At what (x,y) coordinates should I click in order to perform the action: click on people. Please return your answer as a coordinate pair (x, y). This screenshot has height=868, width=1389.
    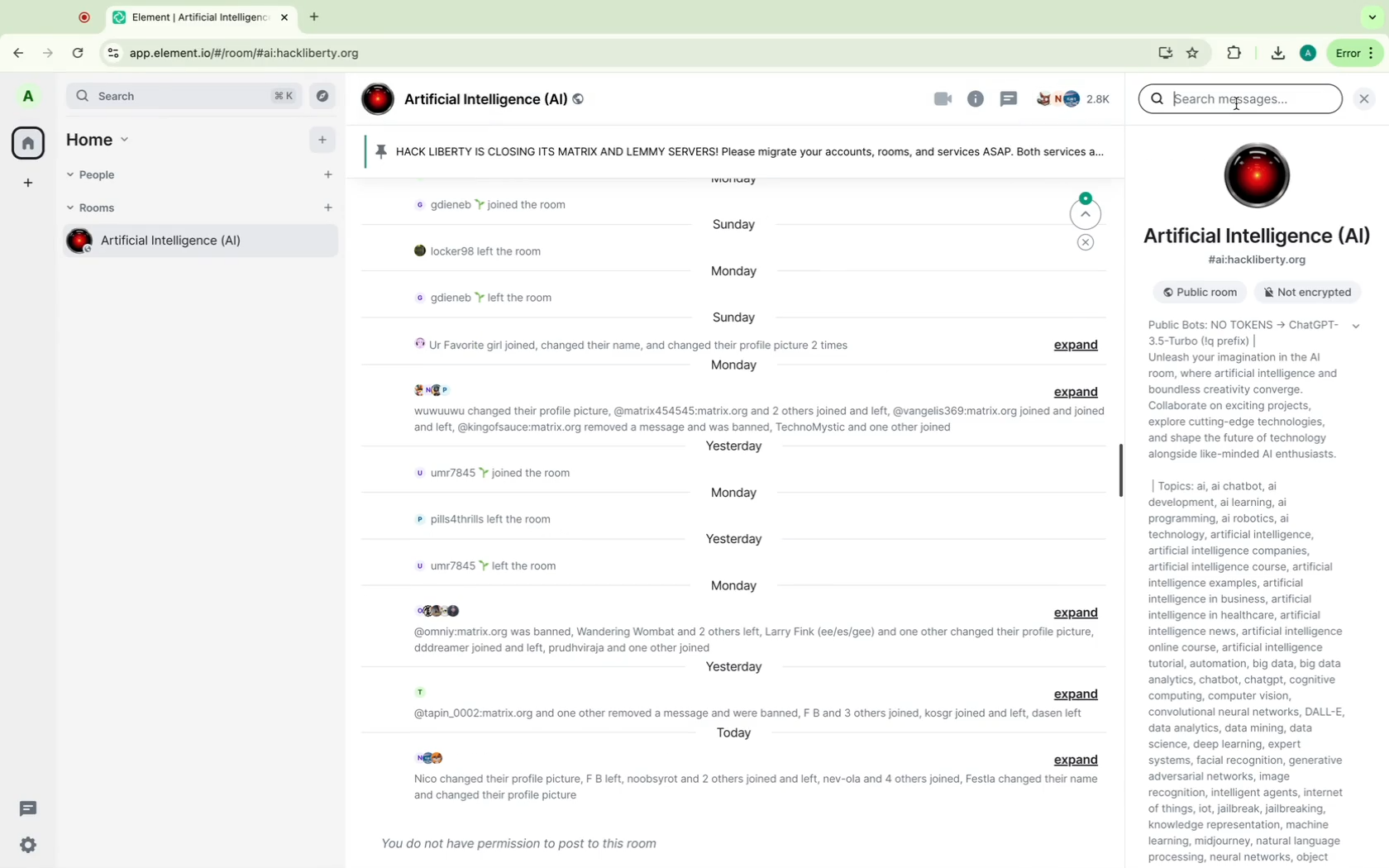
    Looking at the image, I should click on (98, 176).